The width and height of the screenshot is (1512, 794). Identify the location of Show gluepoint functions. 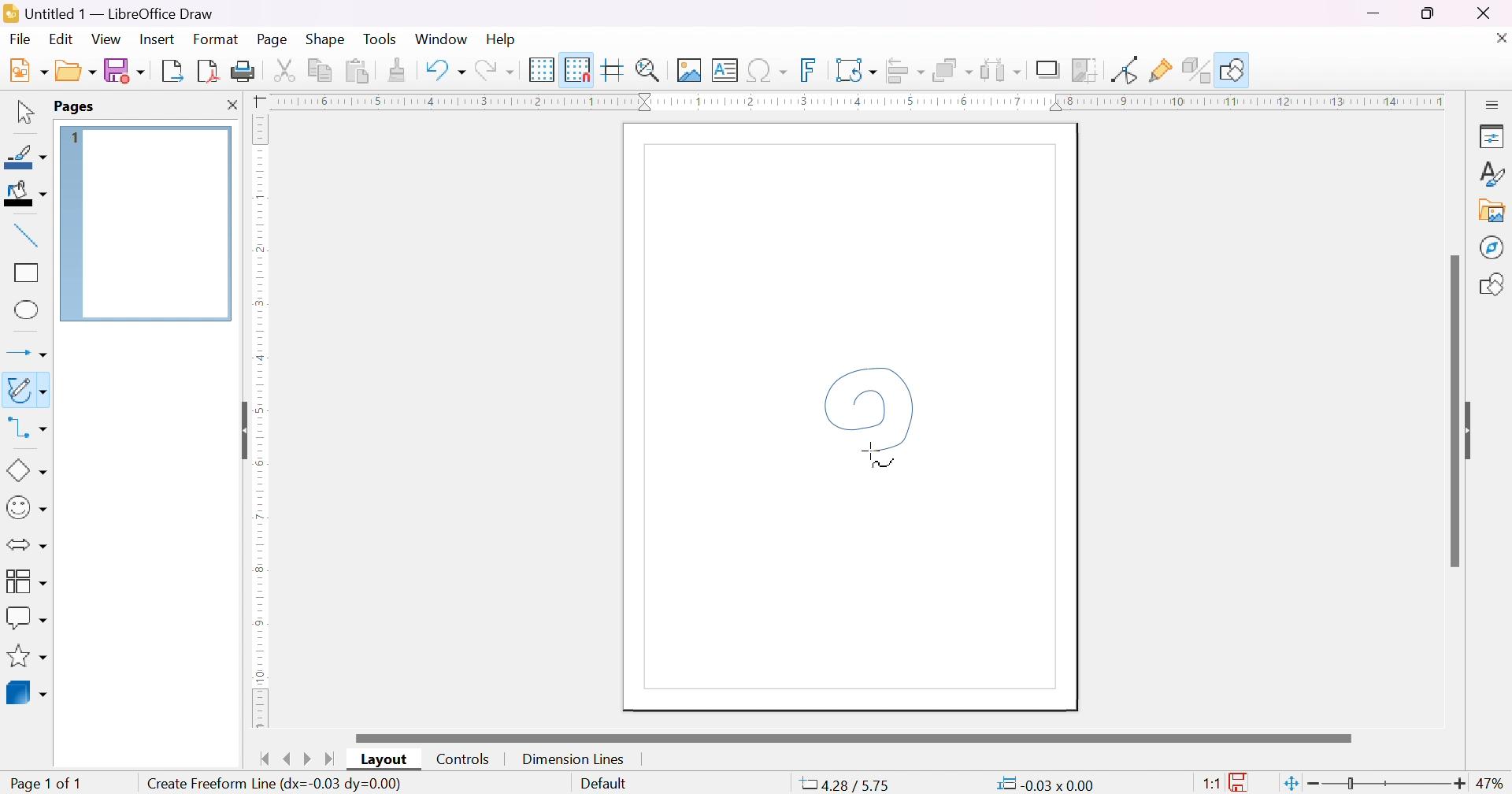
(1161, 70).